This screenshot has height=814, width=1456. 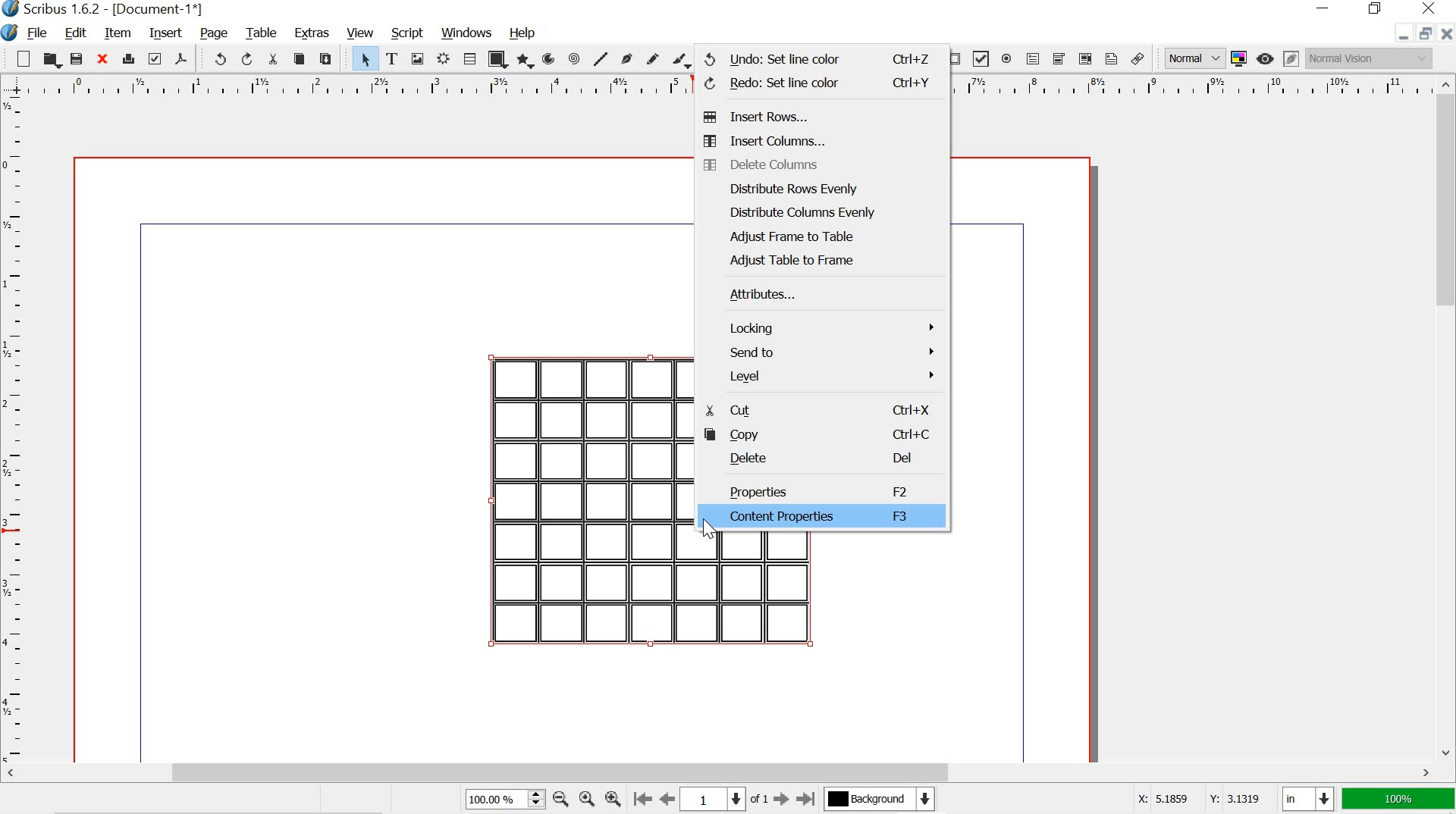 I want to click on page, so click(x=215, y=33).